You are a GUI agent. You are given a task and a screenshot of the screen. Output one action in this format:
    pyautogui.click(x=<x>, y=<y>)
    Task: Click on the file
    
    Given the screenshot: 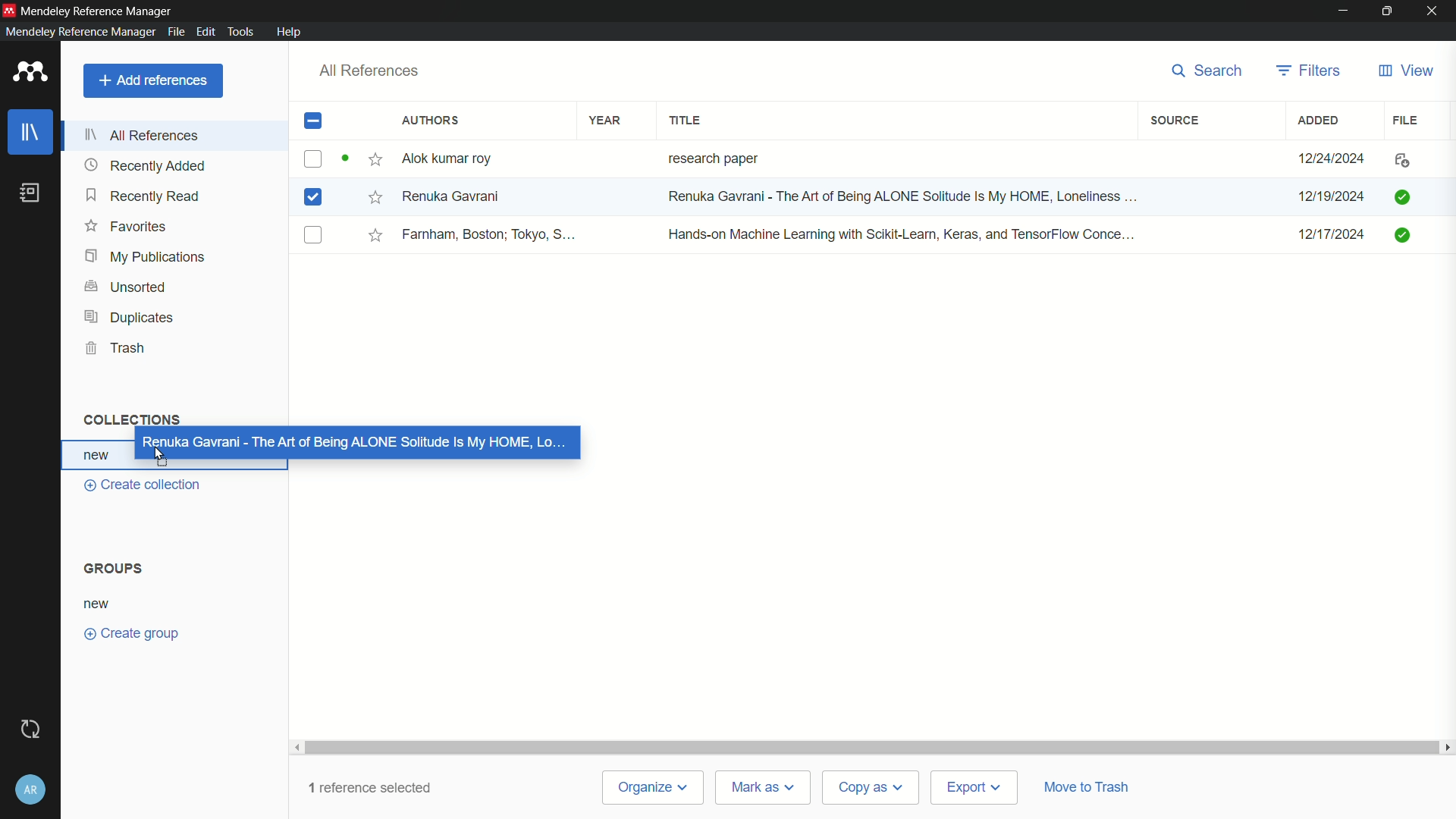 What is the action you would take?
    pyautogui.click(x=1406, y=121)
    